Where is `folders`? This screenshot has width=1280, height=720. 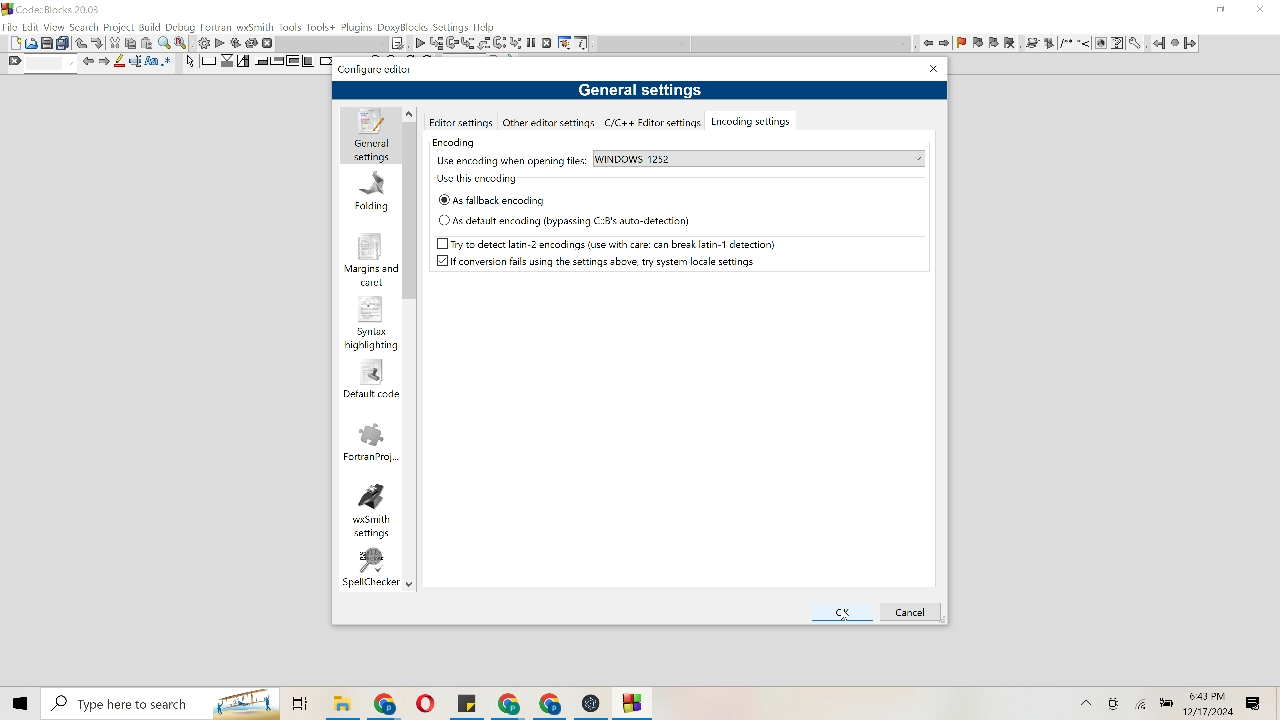
folders is located at coordinates (299, 704).